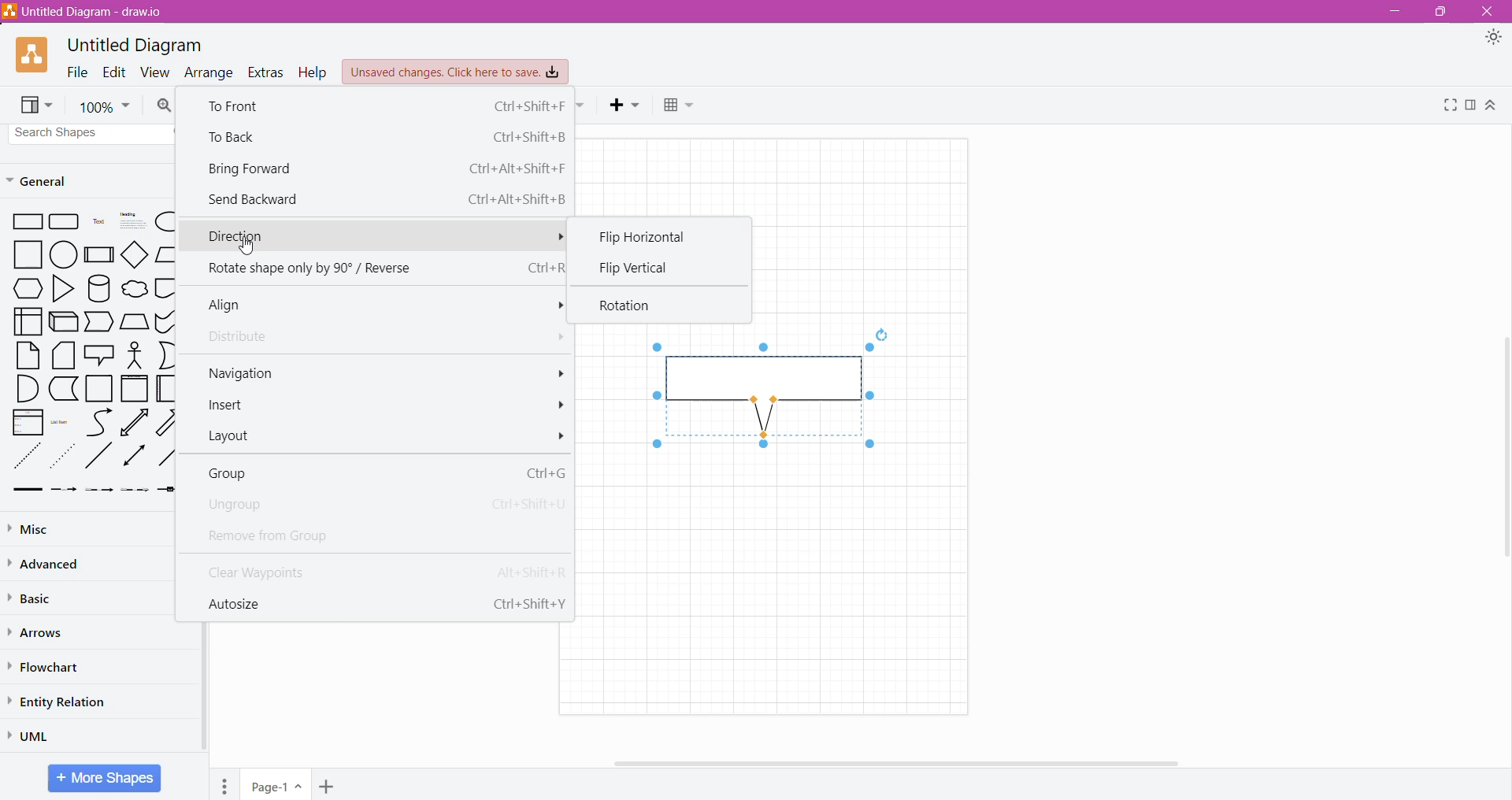  I want to click on Group, so click(383, 472).